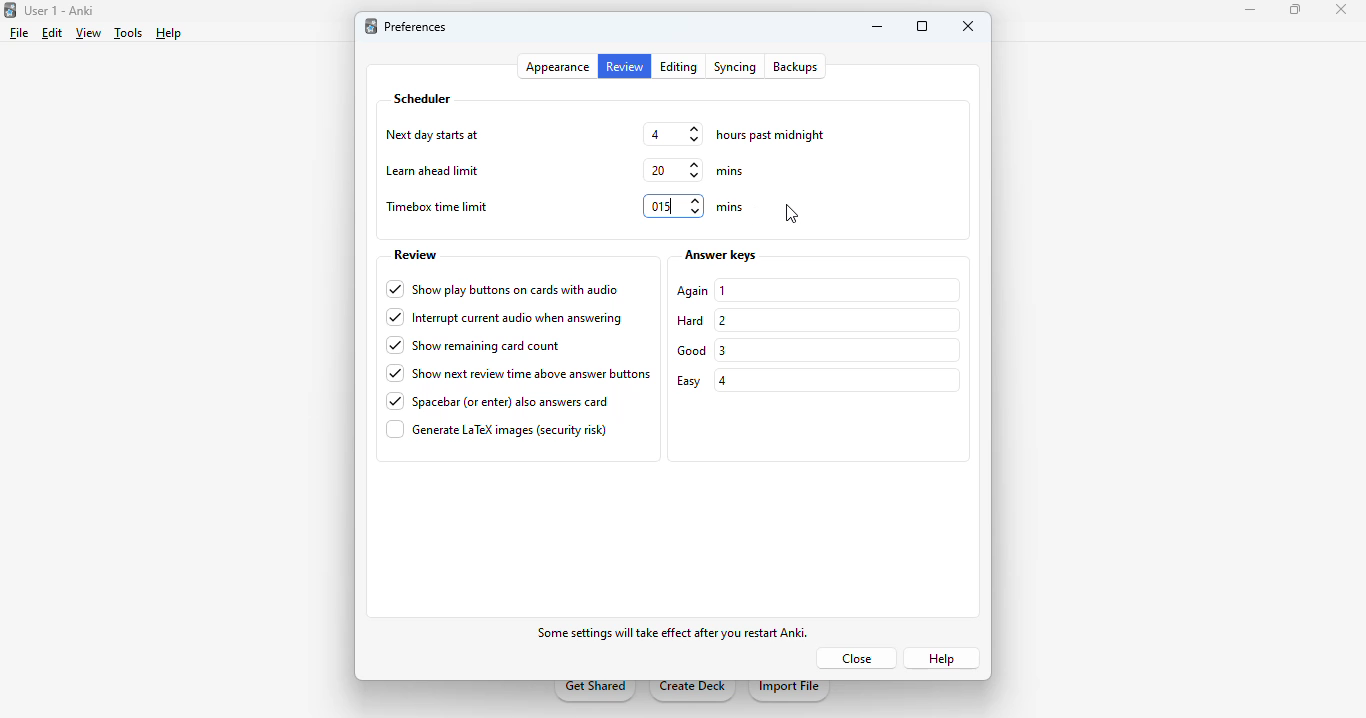  What do you see at coordinates (731, 171) in the screenshot?
I see `mins` at bounding box center [731, 171].